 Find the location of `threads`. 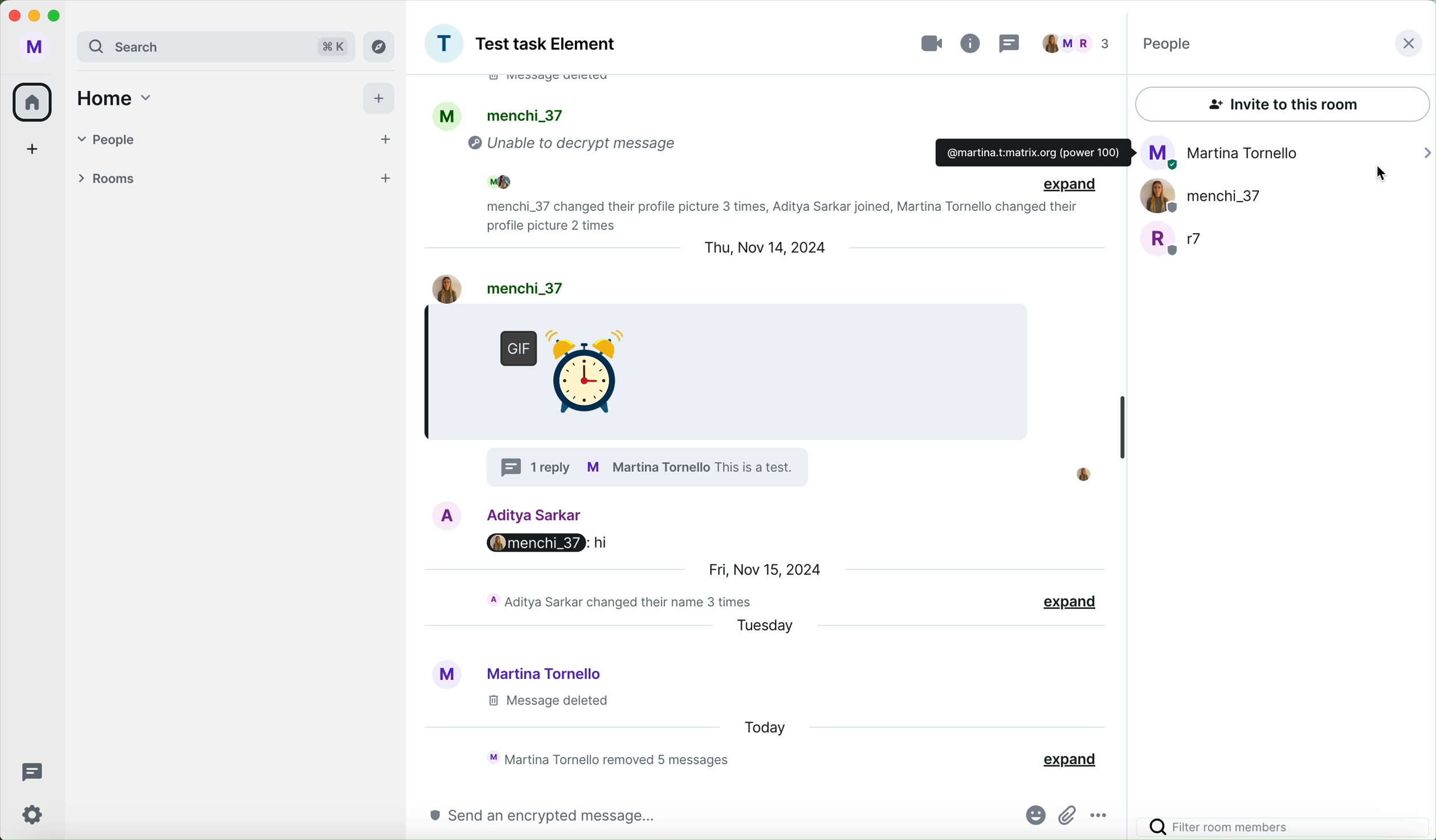

threads is located at coordinates (30, 770).